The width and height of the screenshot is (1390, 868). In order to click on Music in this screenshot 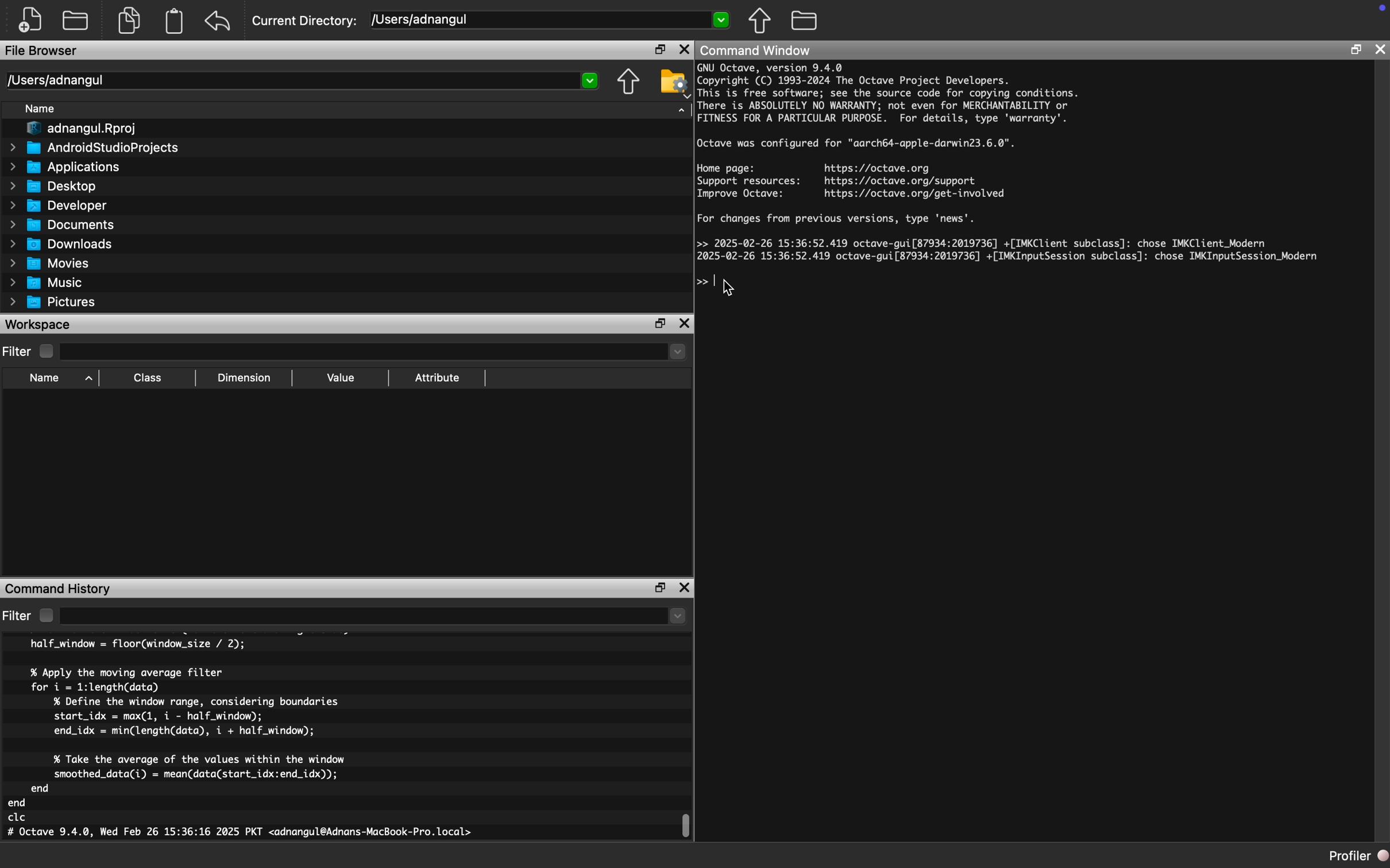, I will do `click(46, 282)`.